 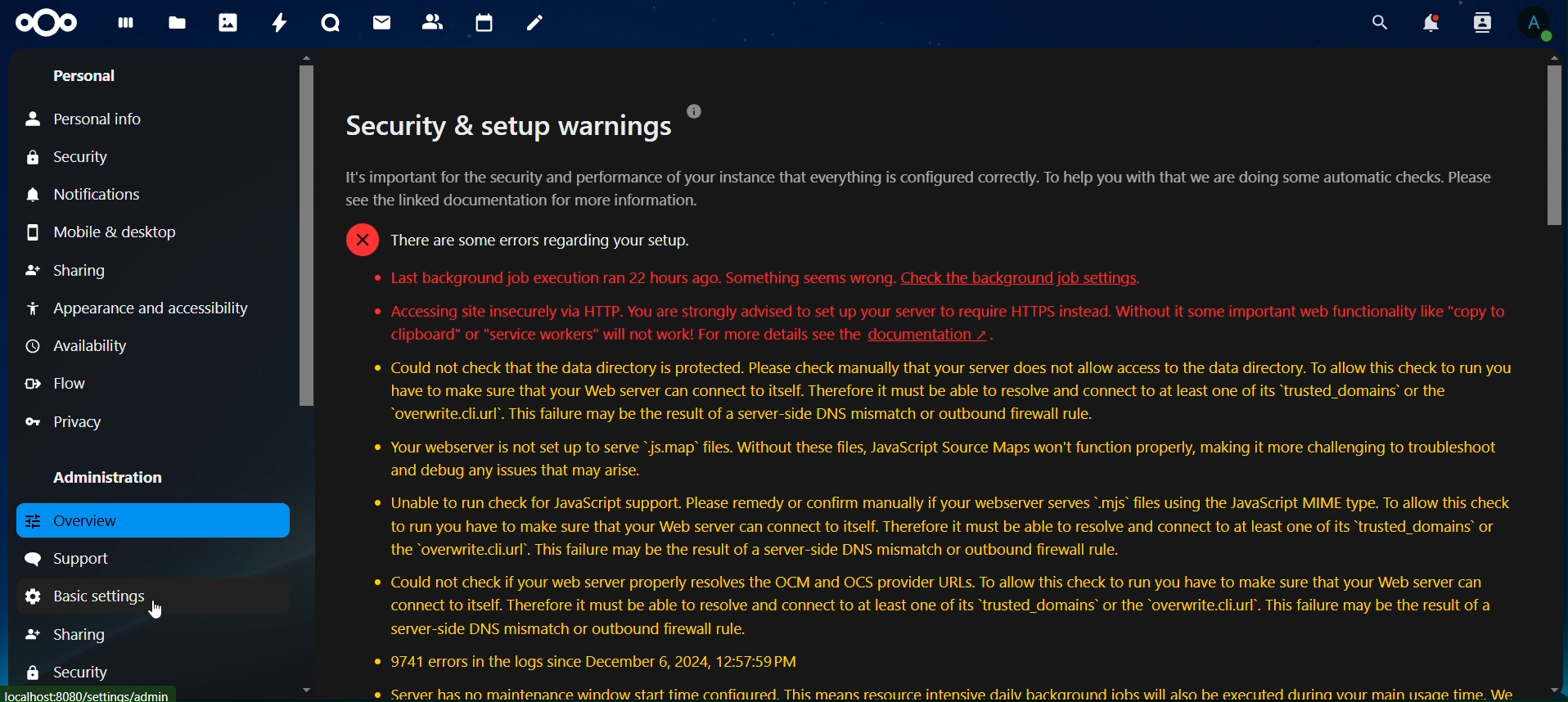 What do you see at coordinates (1377, 22) in the screenshot?
I see `search` at bounding box center [1377, 22].